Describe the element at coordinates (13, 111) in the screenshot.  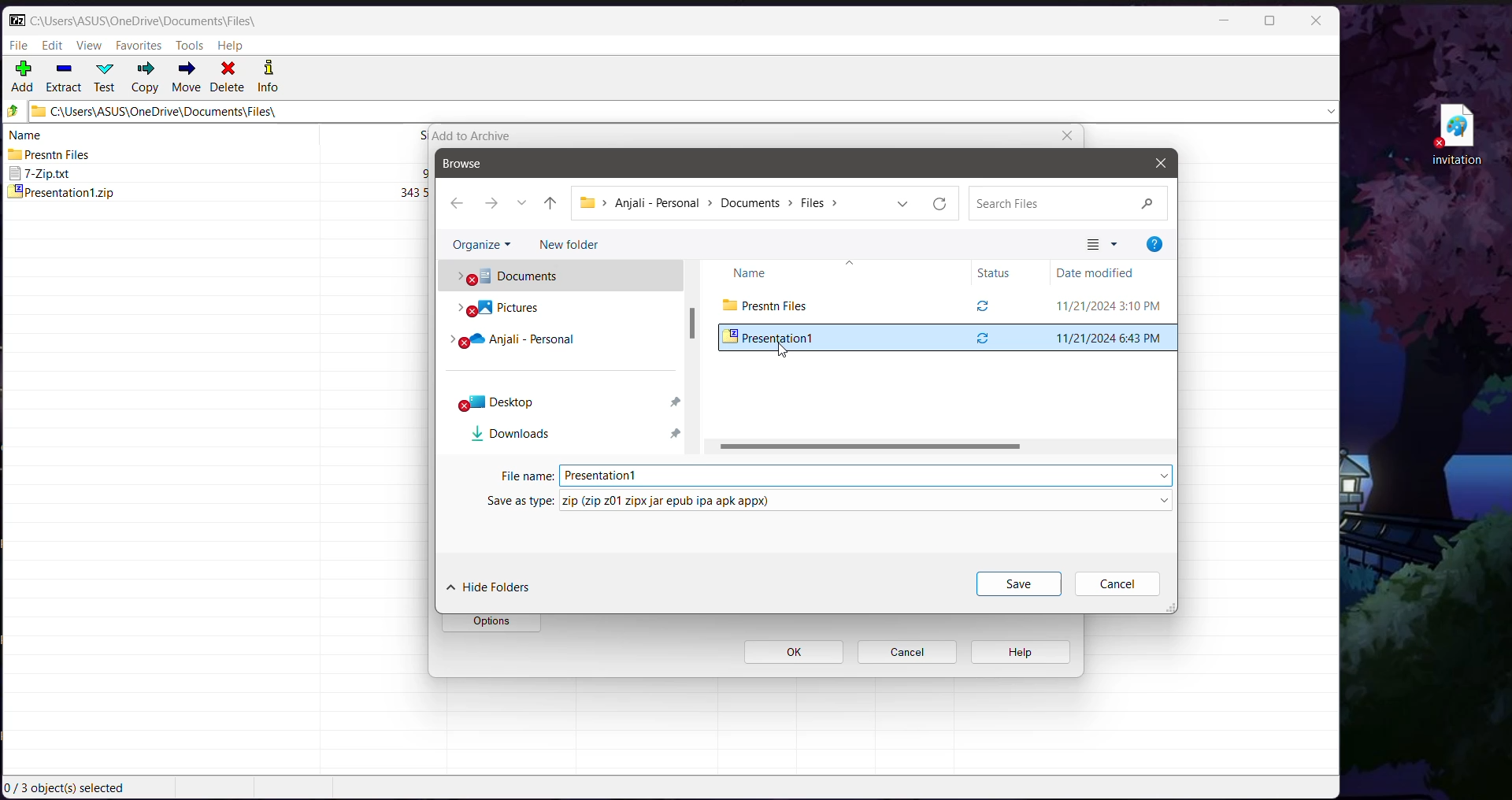
I see `Move Up one level` at that location.